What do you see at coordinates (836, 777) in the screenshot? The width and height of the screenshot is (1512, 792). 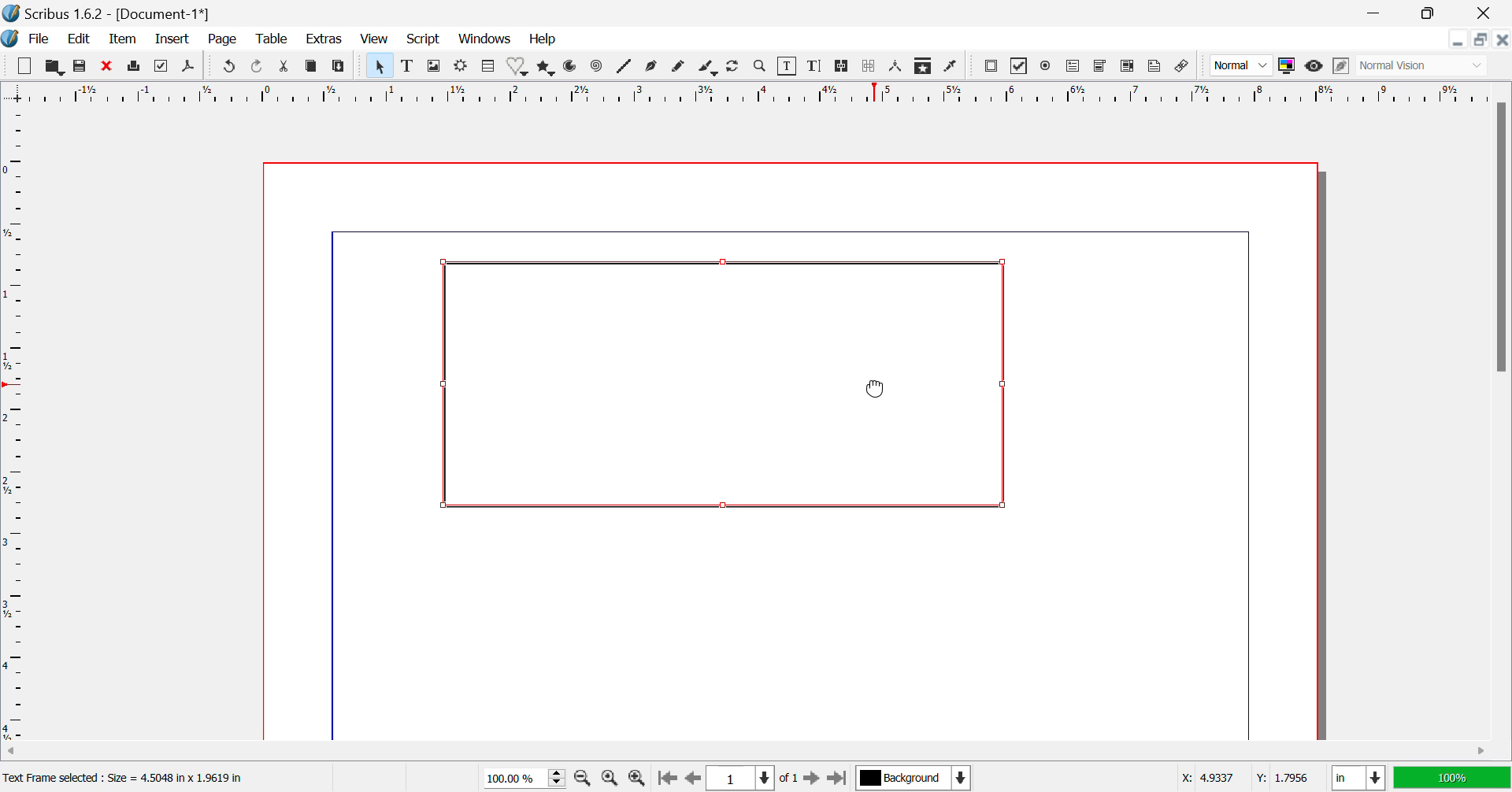 I see `Last Page` at bounding box center [836, 777].